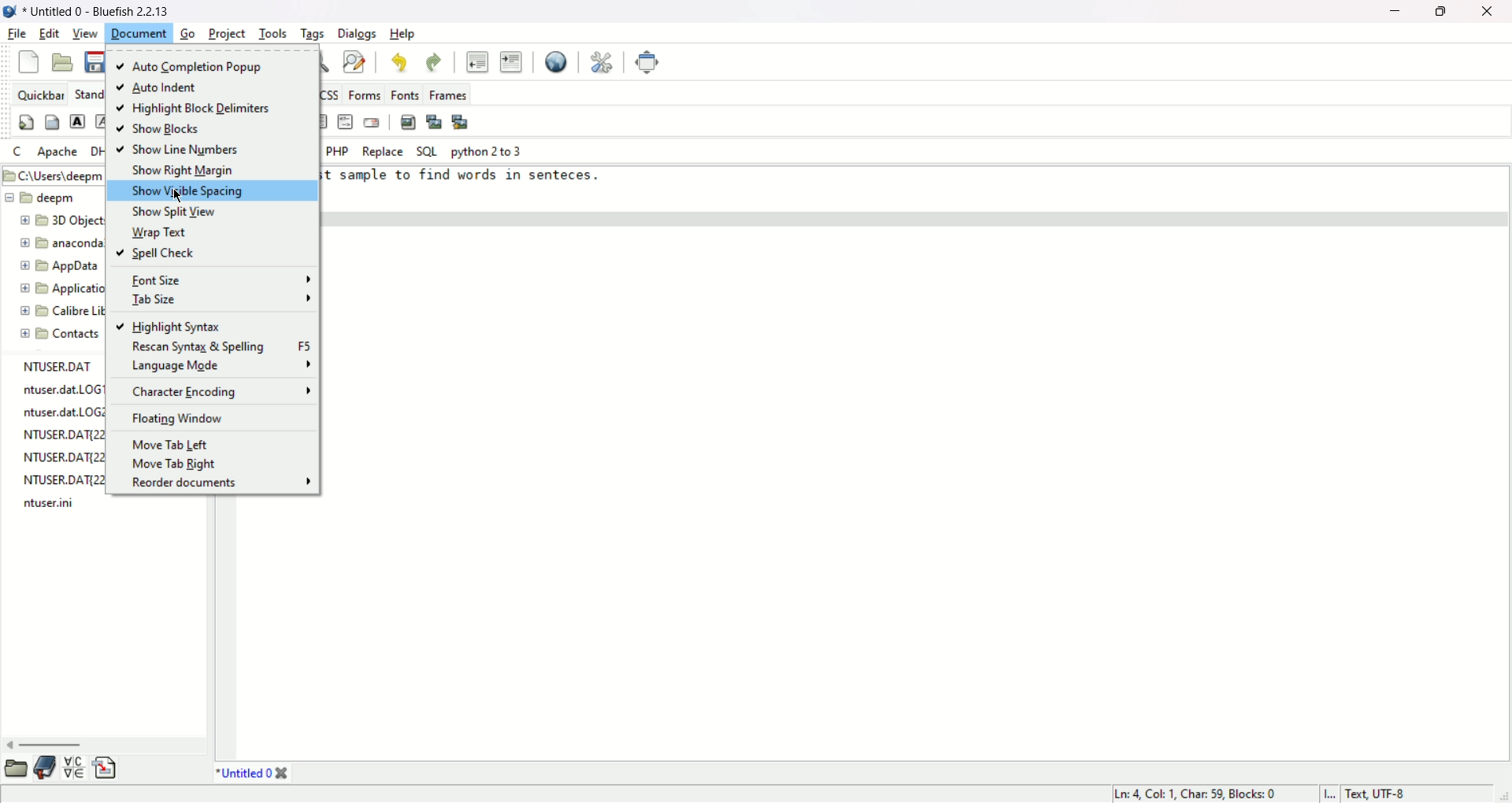  Describe the element at coordinates (1377, 794) in the screenshot. I see `Text, UTF-8` at that location.